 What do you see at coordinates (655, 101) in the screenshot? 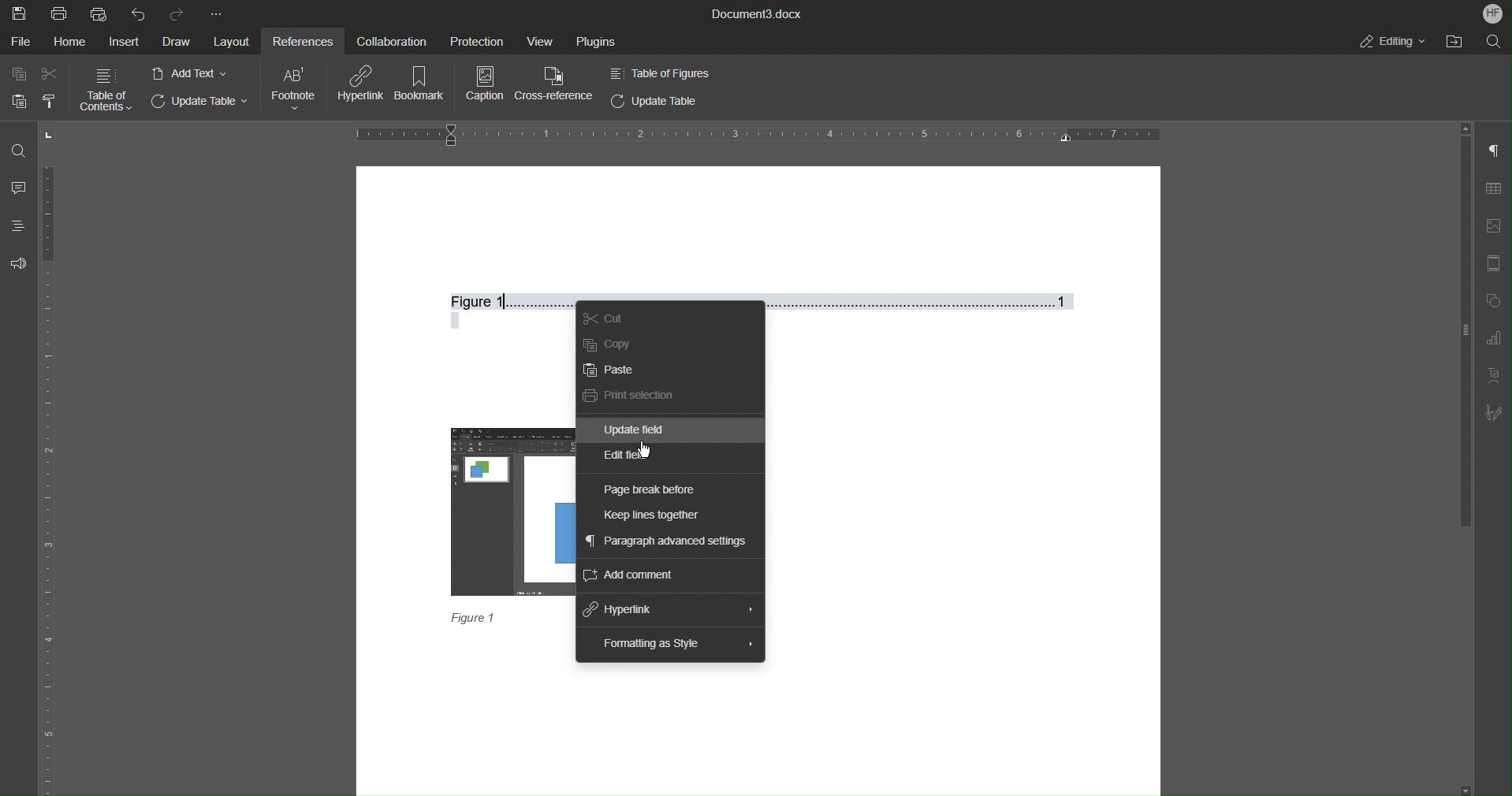
I see `Update Table` at bounding box center [655, 101].